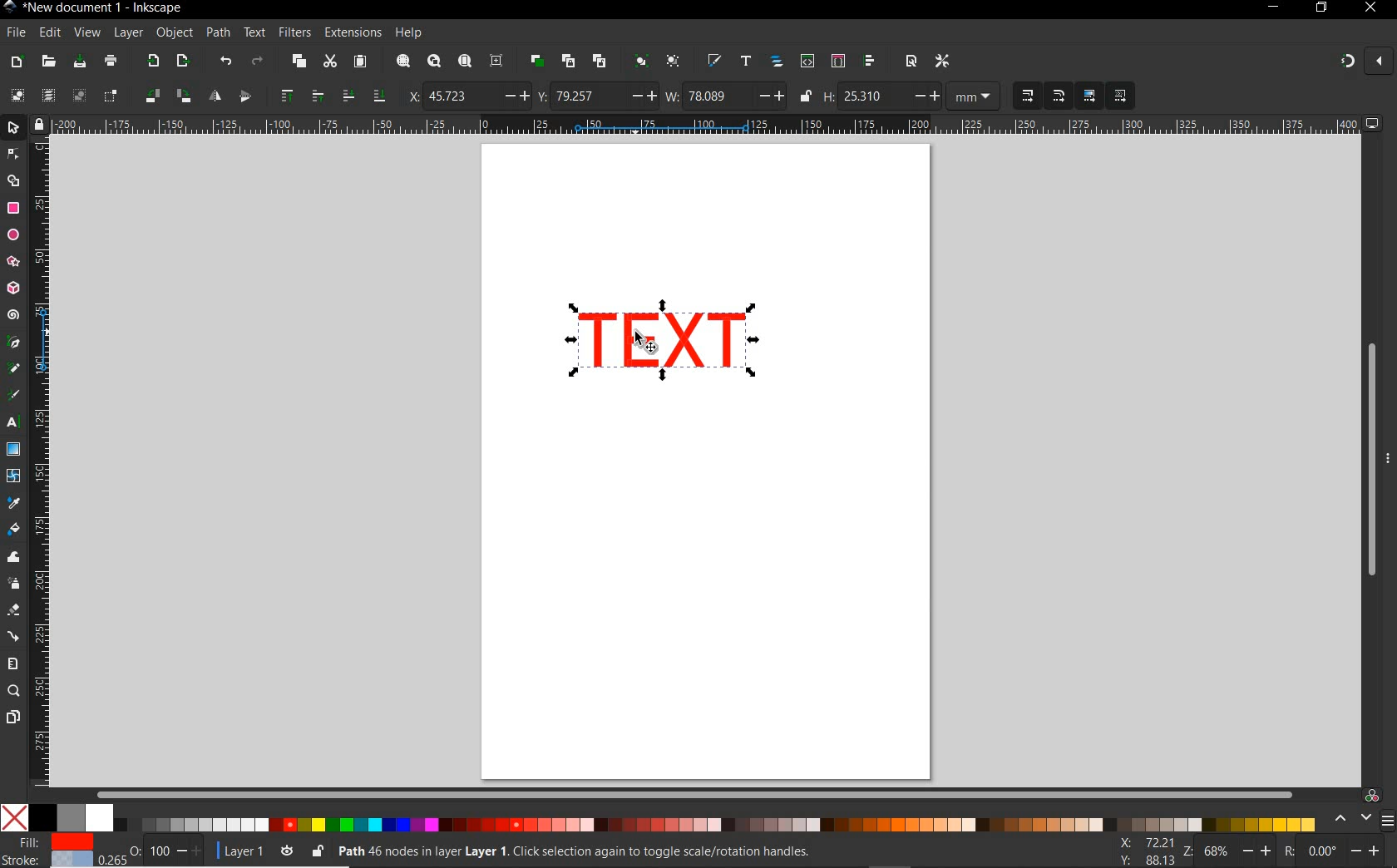  What do you see at coordinates (14, 236) in the screenshot?
I see `ELLIPSE TOOL` at bounding box center [14, 236].